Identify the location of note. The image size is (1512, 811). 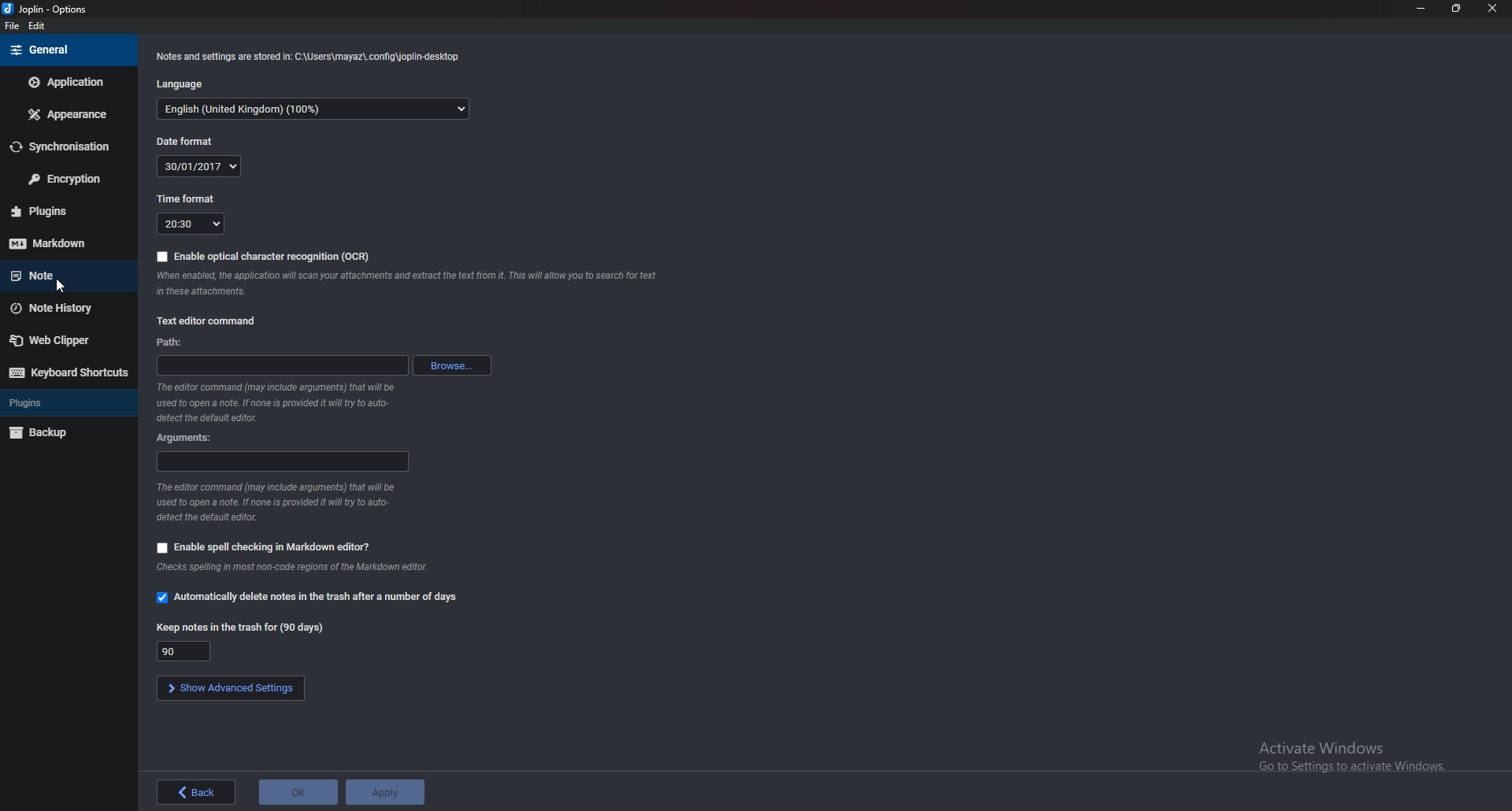
(61, 274).